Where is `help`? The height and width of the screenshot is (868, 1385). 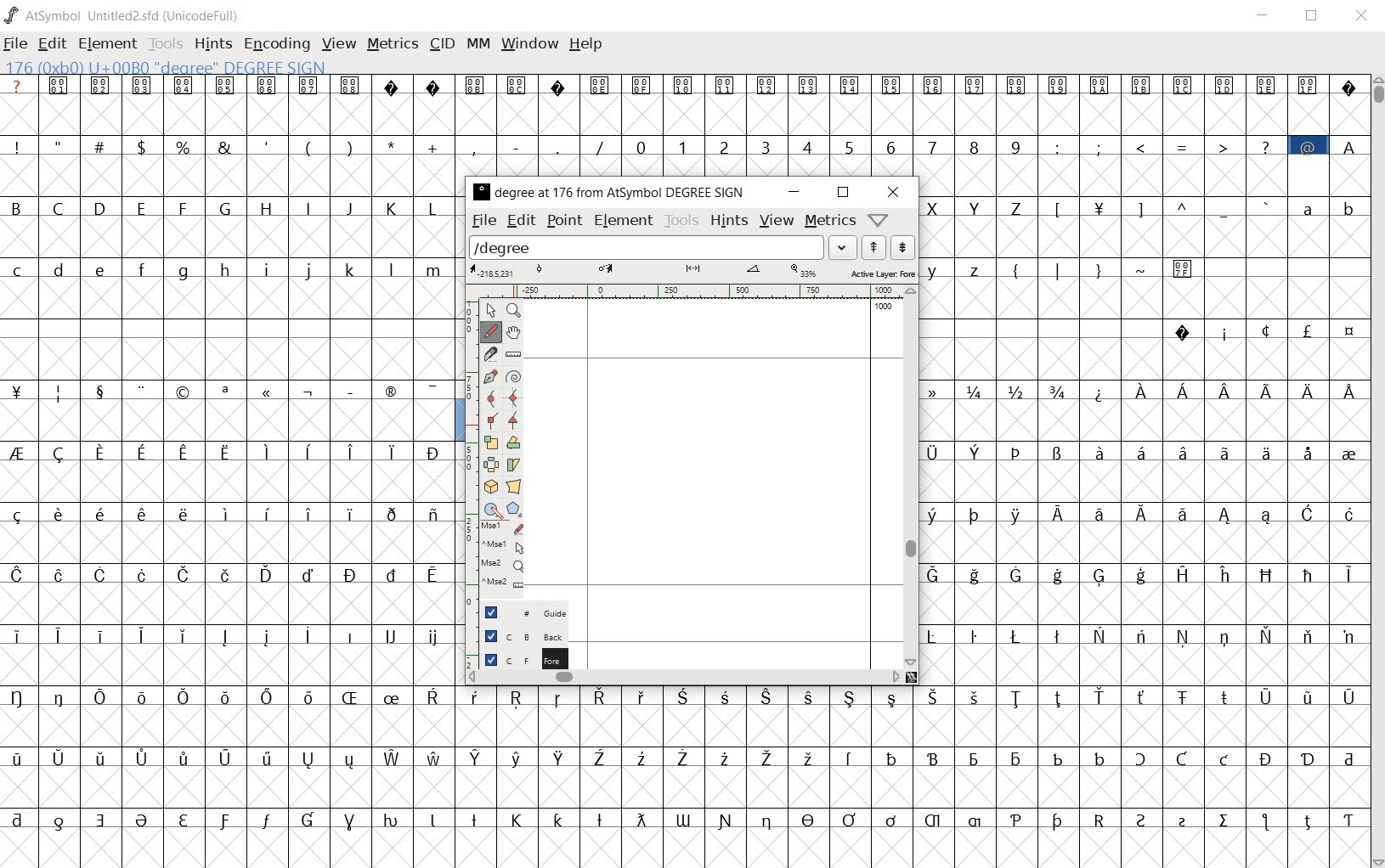
help is located at coordinates (588, 45).